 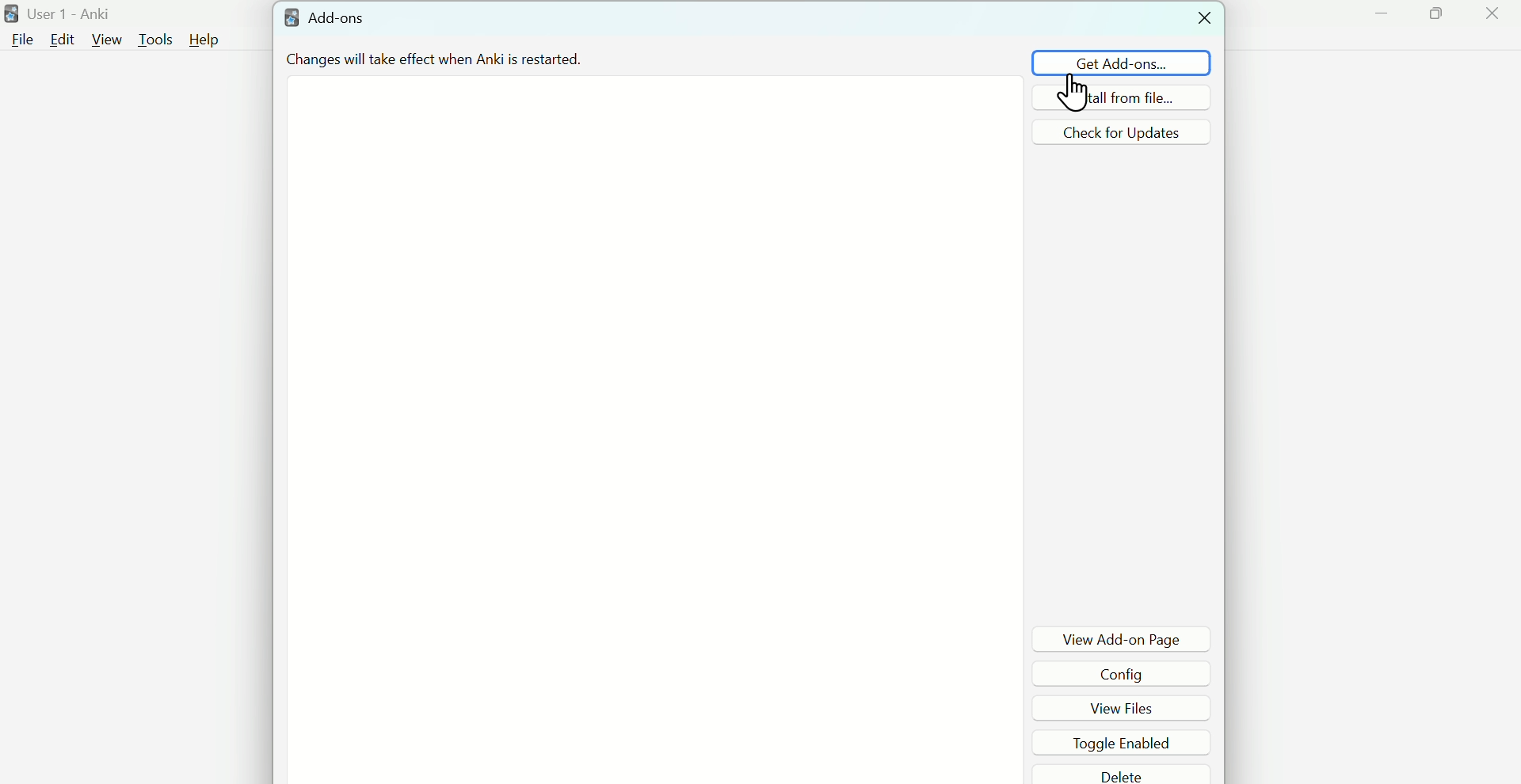 What do you see at coordinates (1127, 673) in the screenshot?
I see `Config` at bounding box center [1127, 673].